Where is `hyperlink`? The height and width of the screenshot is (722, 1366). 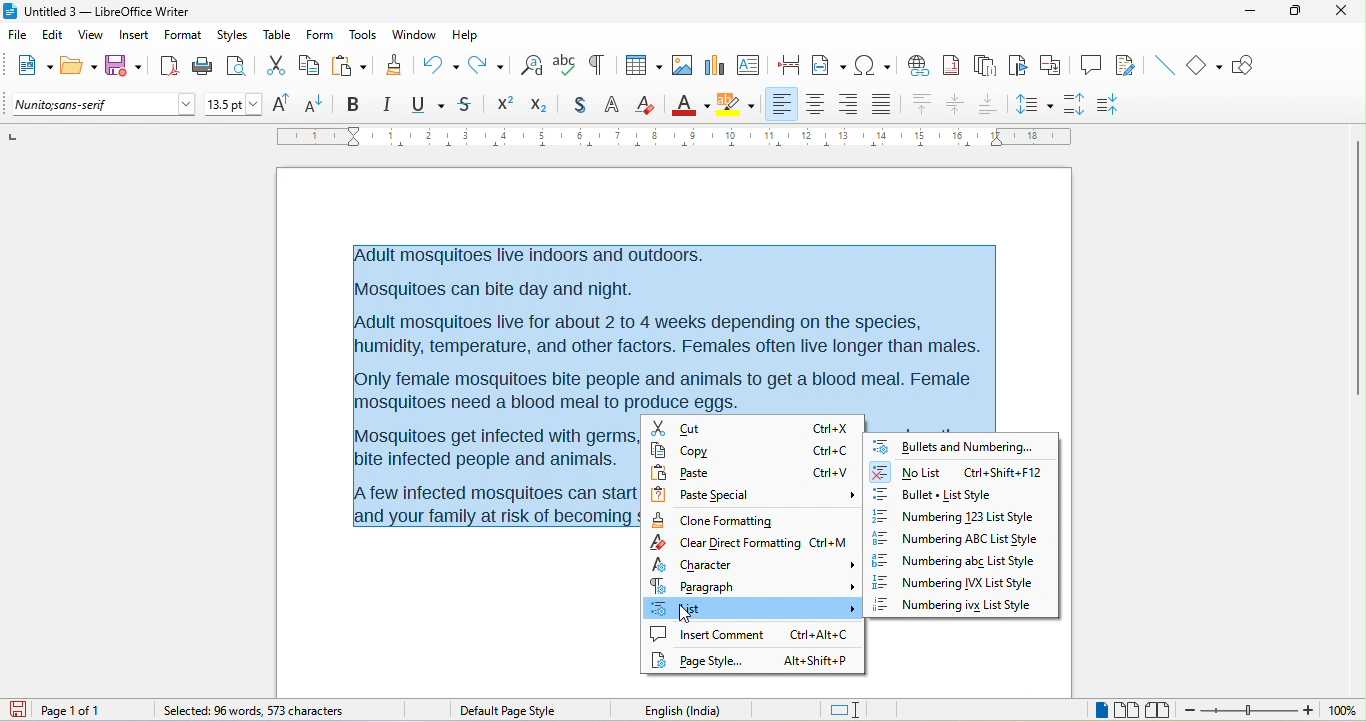 hyperlink is located at coordinates (921, 64).